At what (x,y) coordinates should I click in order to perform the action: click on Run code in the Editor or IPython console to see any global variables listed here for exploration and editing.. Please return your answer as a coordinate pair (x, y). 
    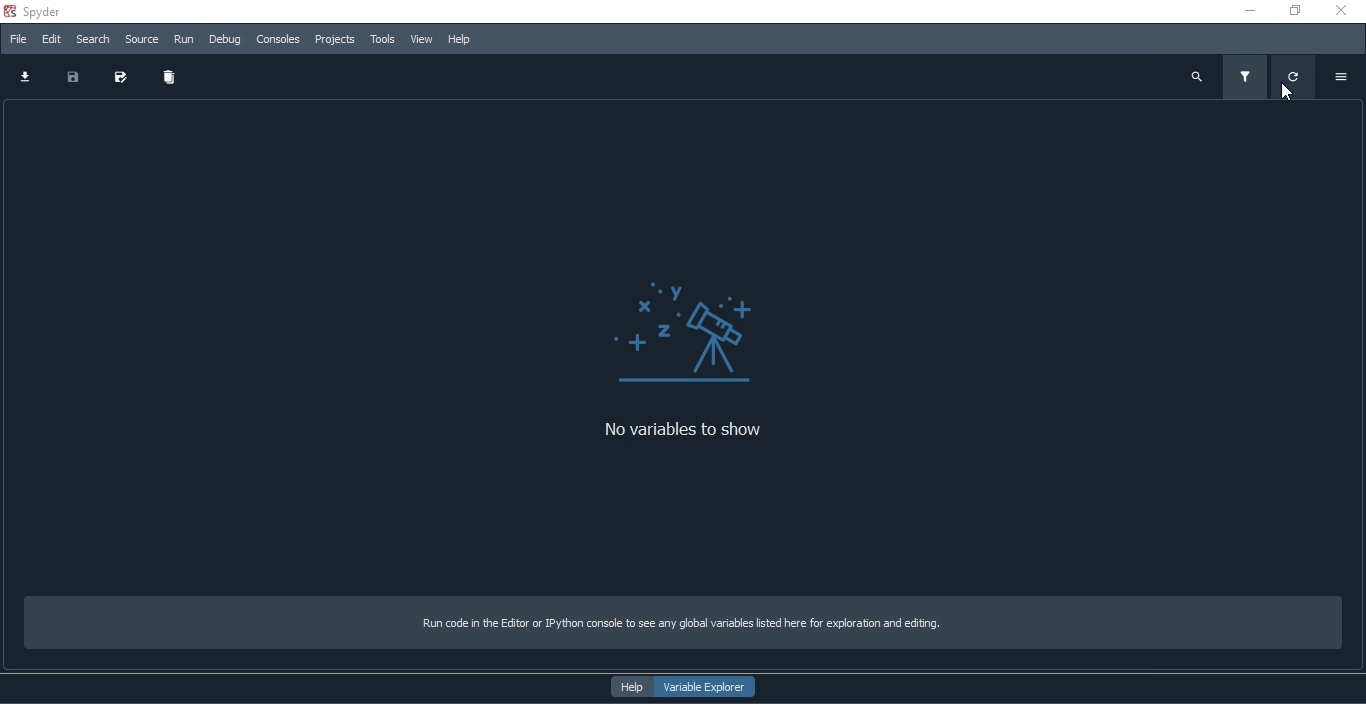
    Looking at the image, I should click on (685, 623).